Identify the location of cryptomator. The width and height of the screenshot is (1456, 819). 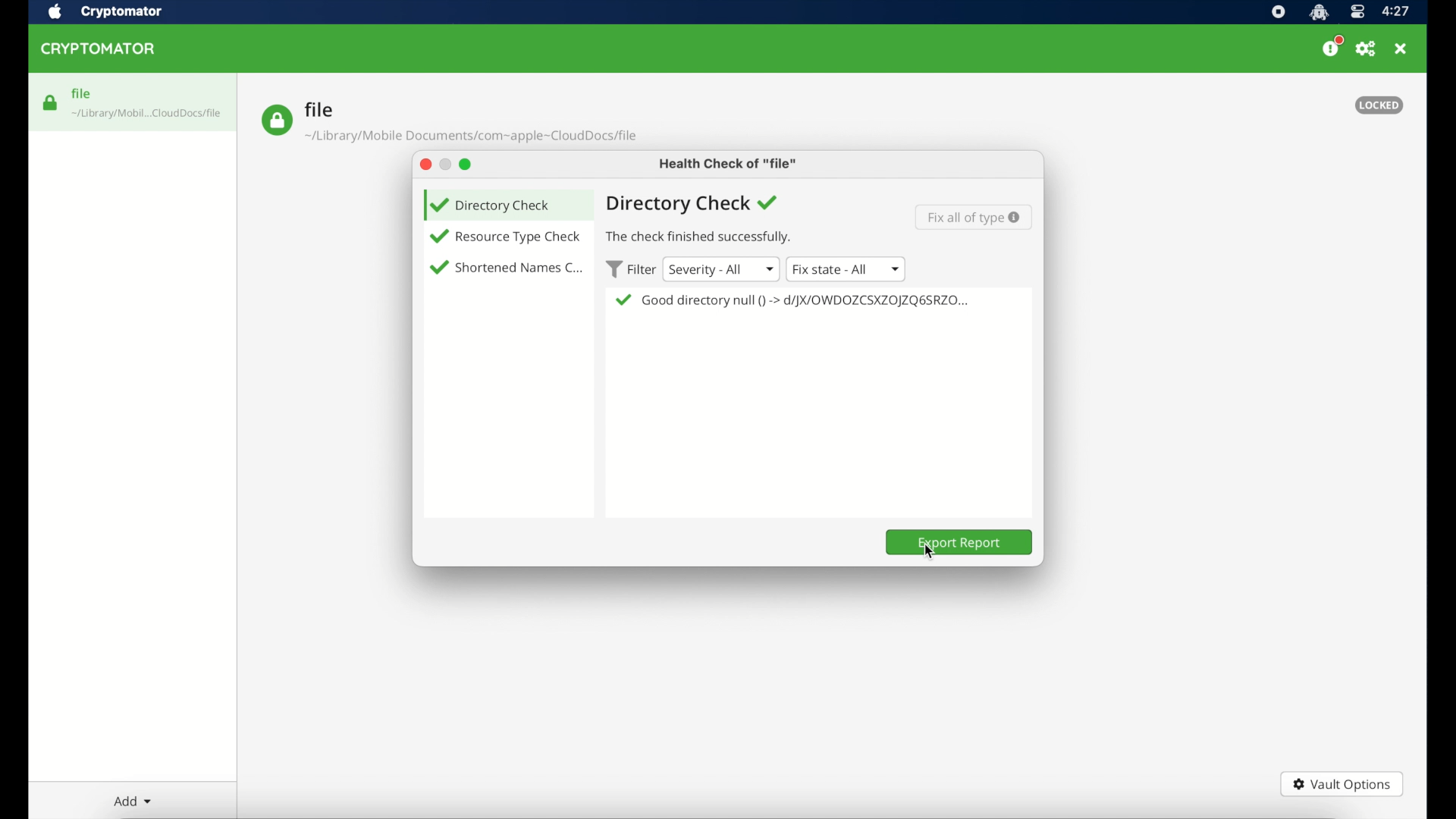
(101, 49).